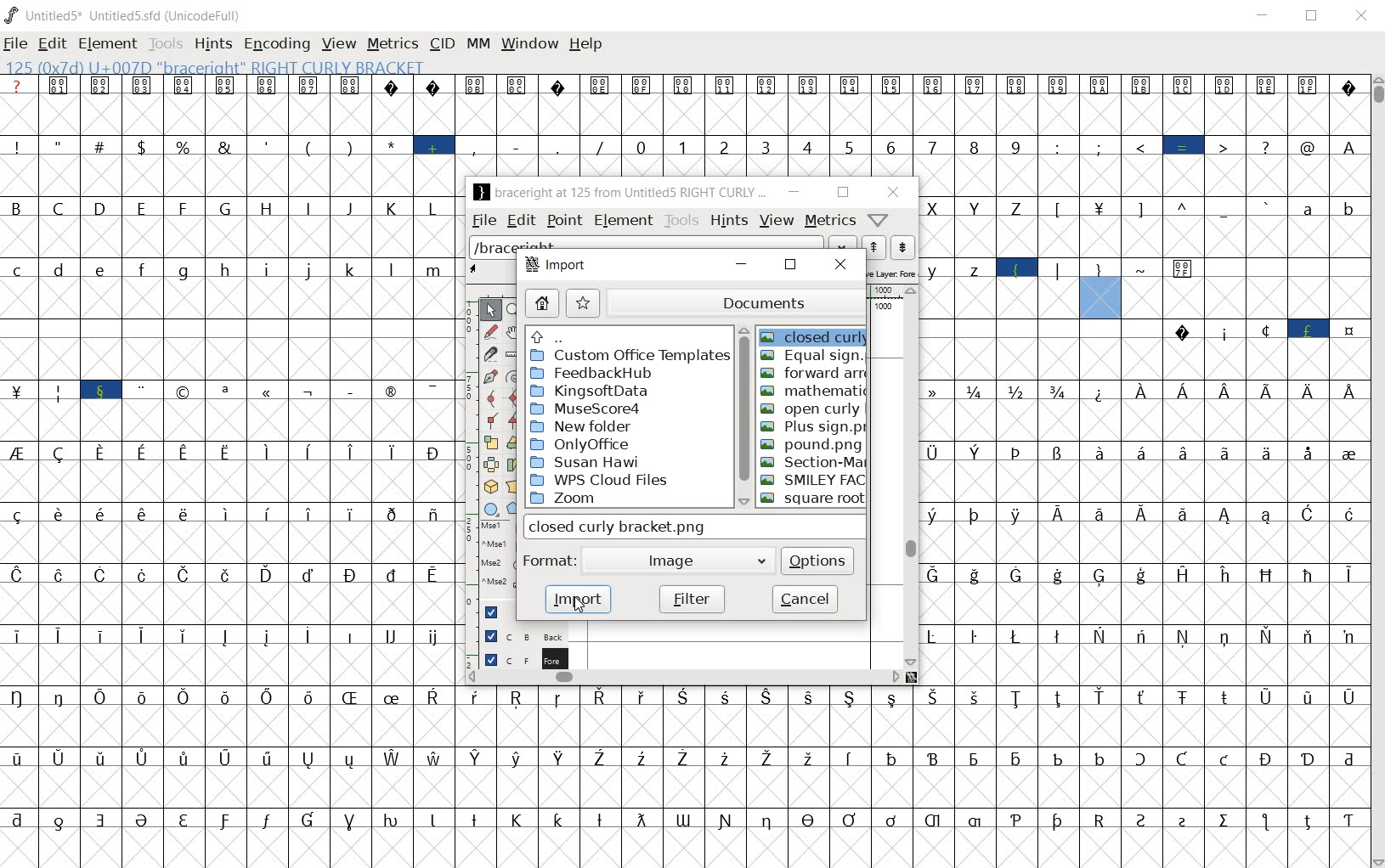  What do you see at coordinates (913, 476) in the screenshot?
I see `scrollbar` at bounding box center [913, 476].